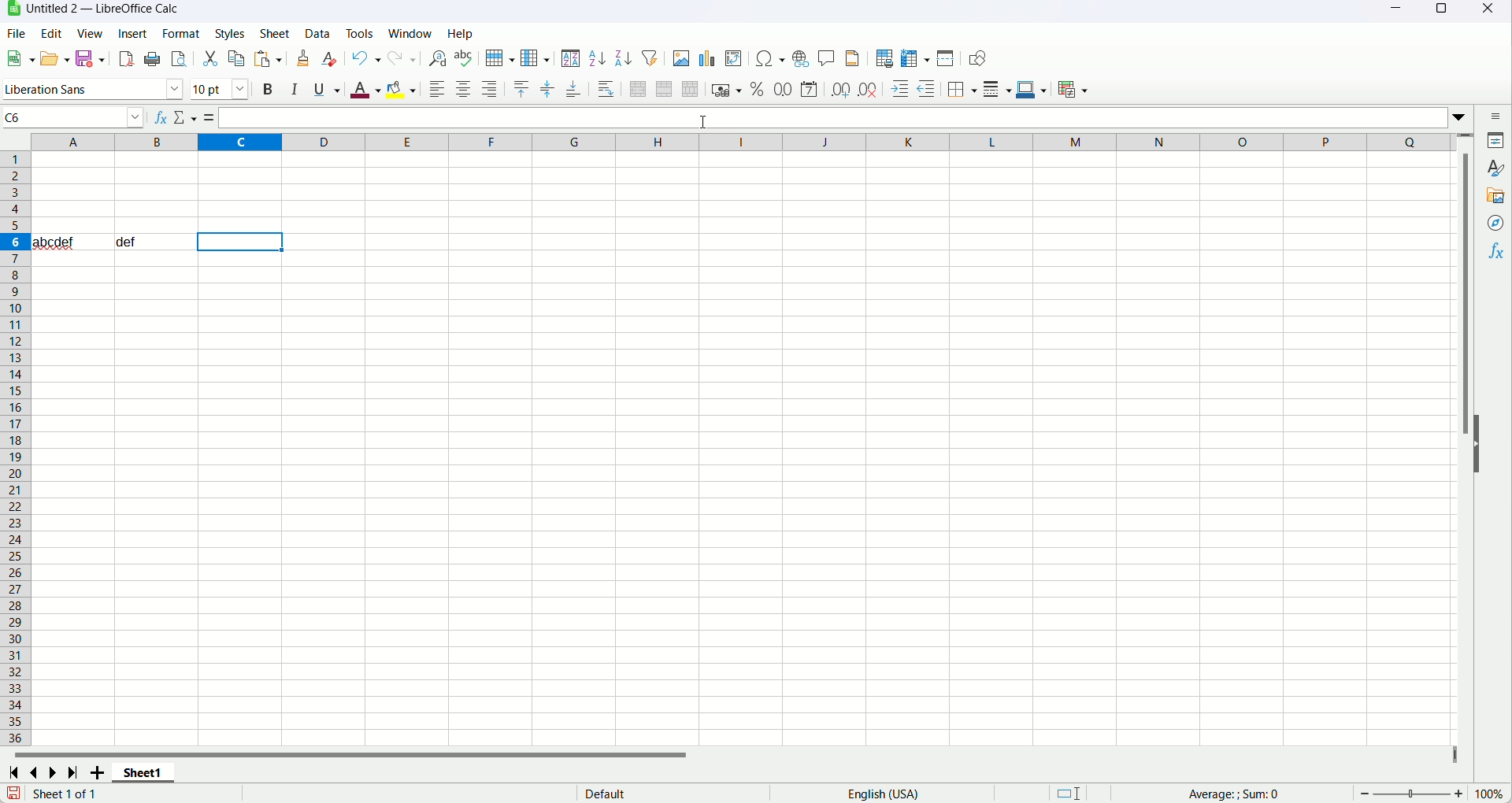  Describe the element at coordinates (97, 772) in the screenshot. I see `add new sheet` at that location.